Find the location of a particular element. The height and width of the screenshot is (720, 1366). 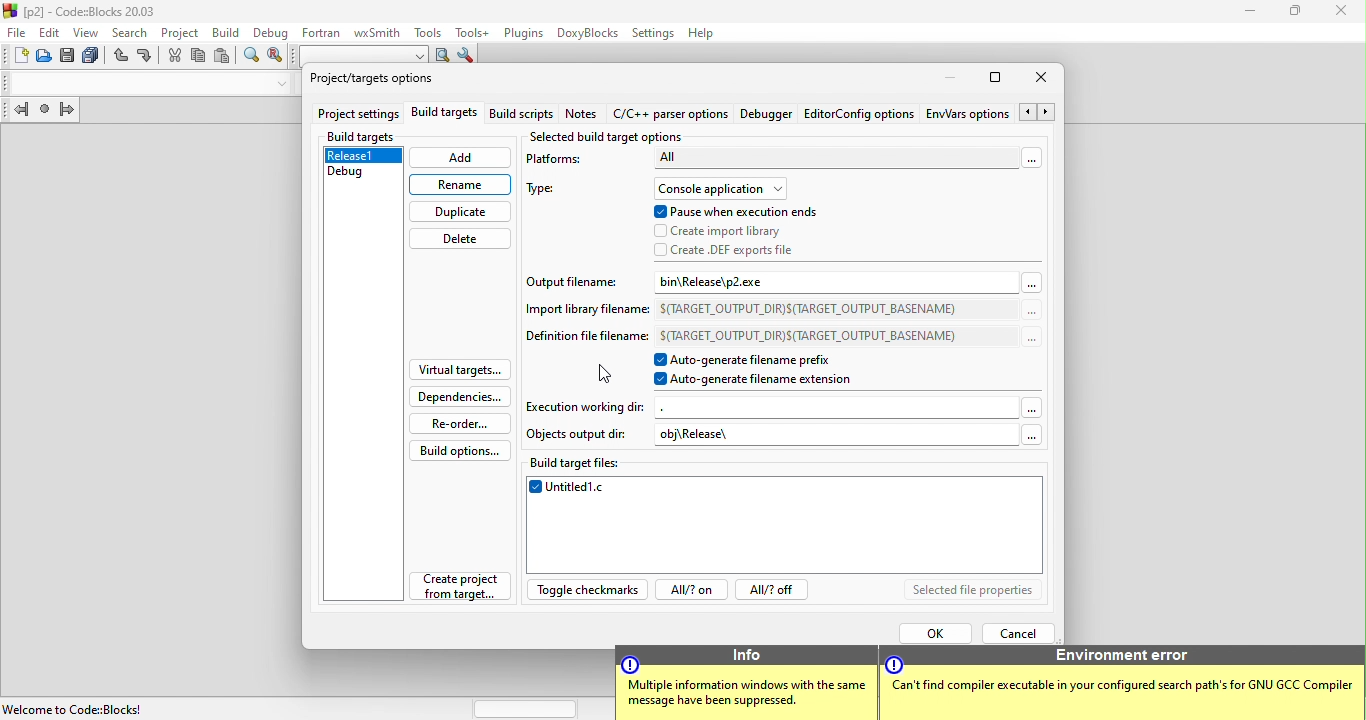

create def exports file is located at coordinates (742, 250).